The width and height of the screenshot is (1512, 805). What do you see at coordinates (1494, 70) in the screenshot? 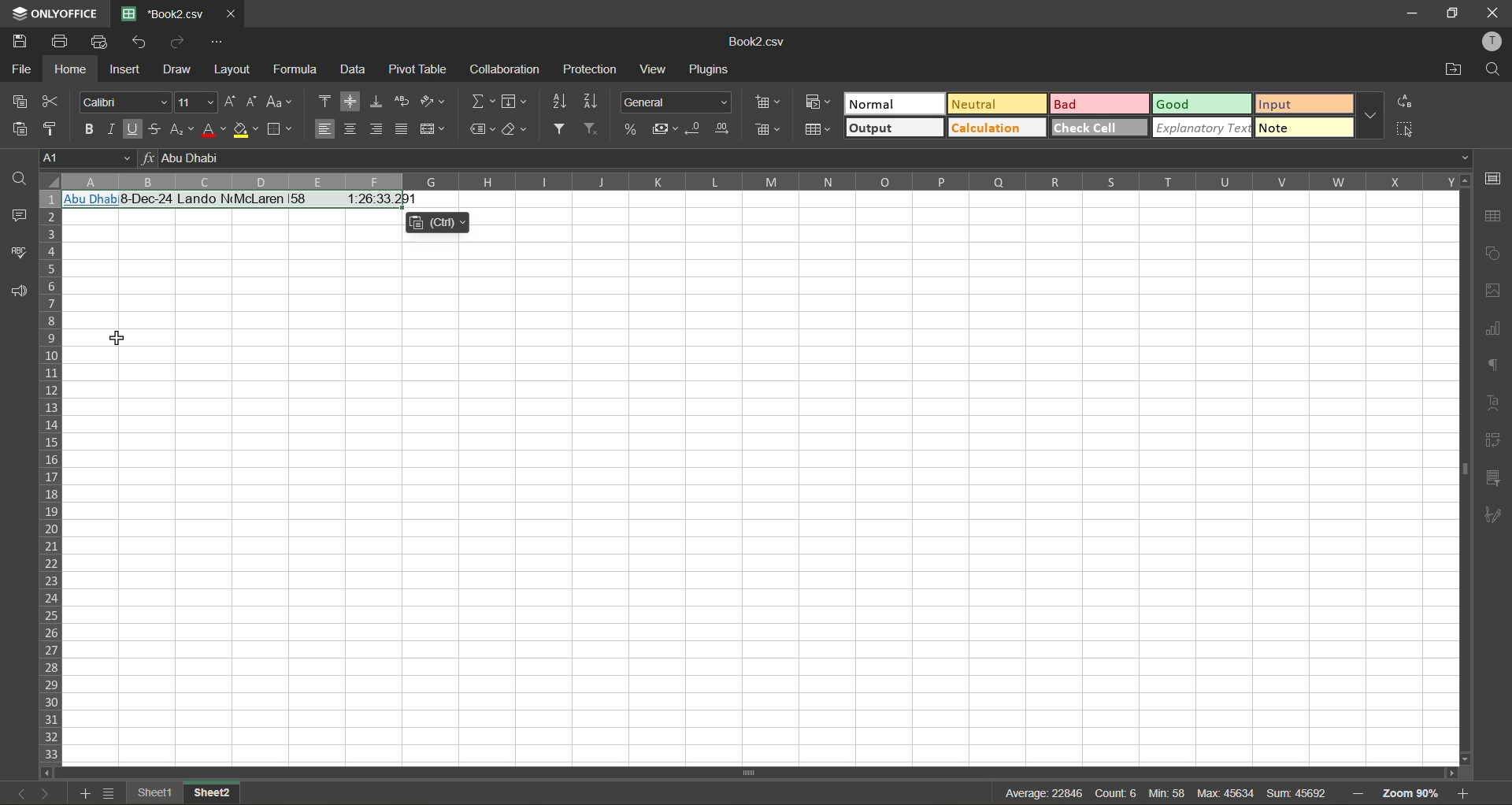
I see `find` at bounding box center [1494, 70].